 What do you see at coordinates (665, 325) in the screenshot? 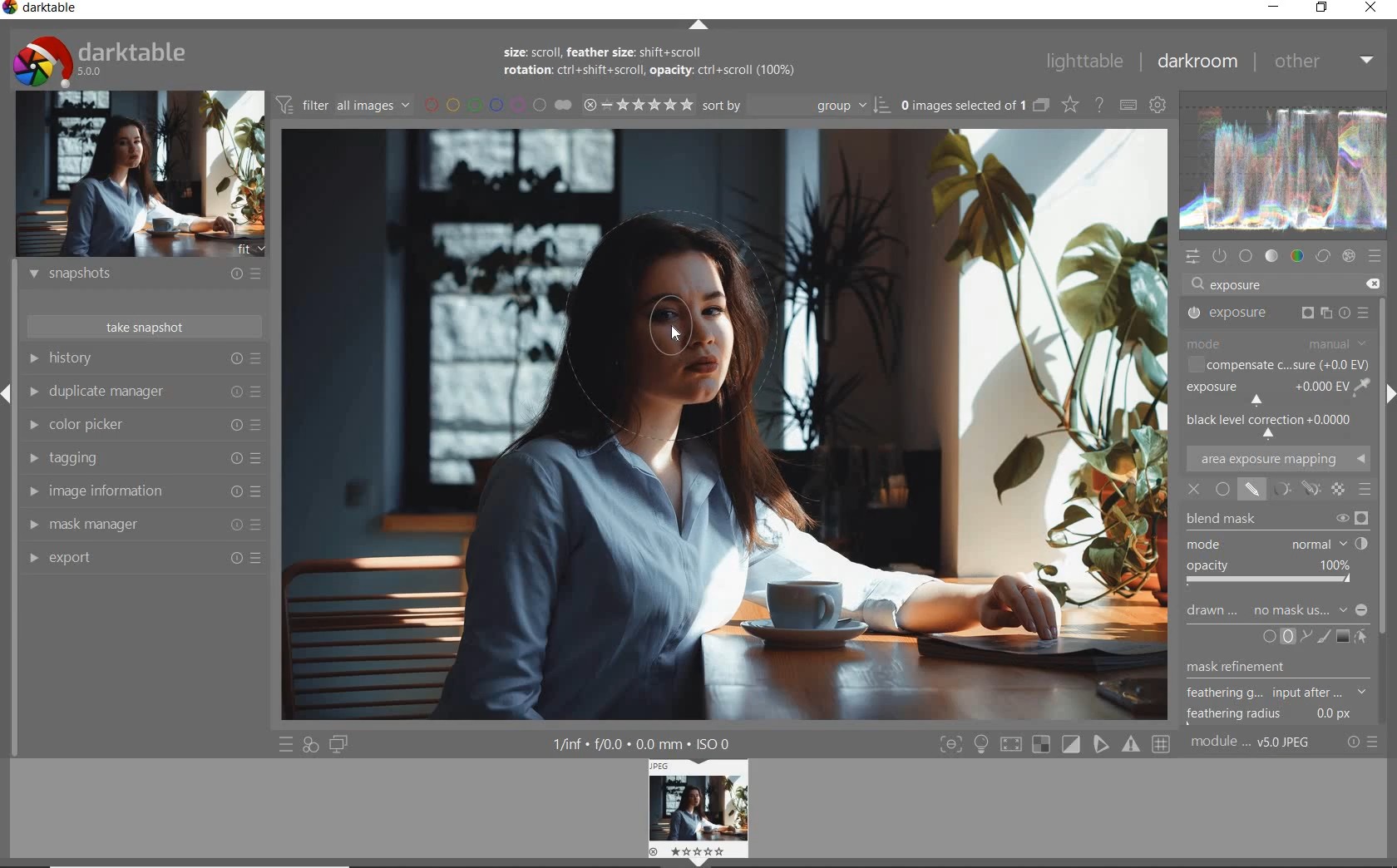
I see `DRAWN MASK` at bounding box center [665, 325].